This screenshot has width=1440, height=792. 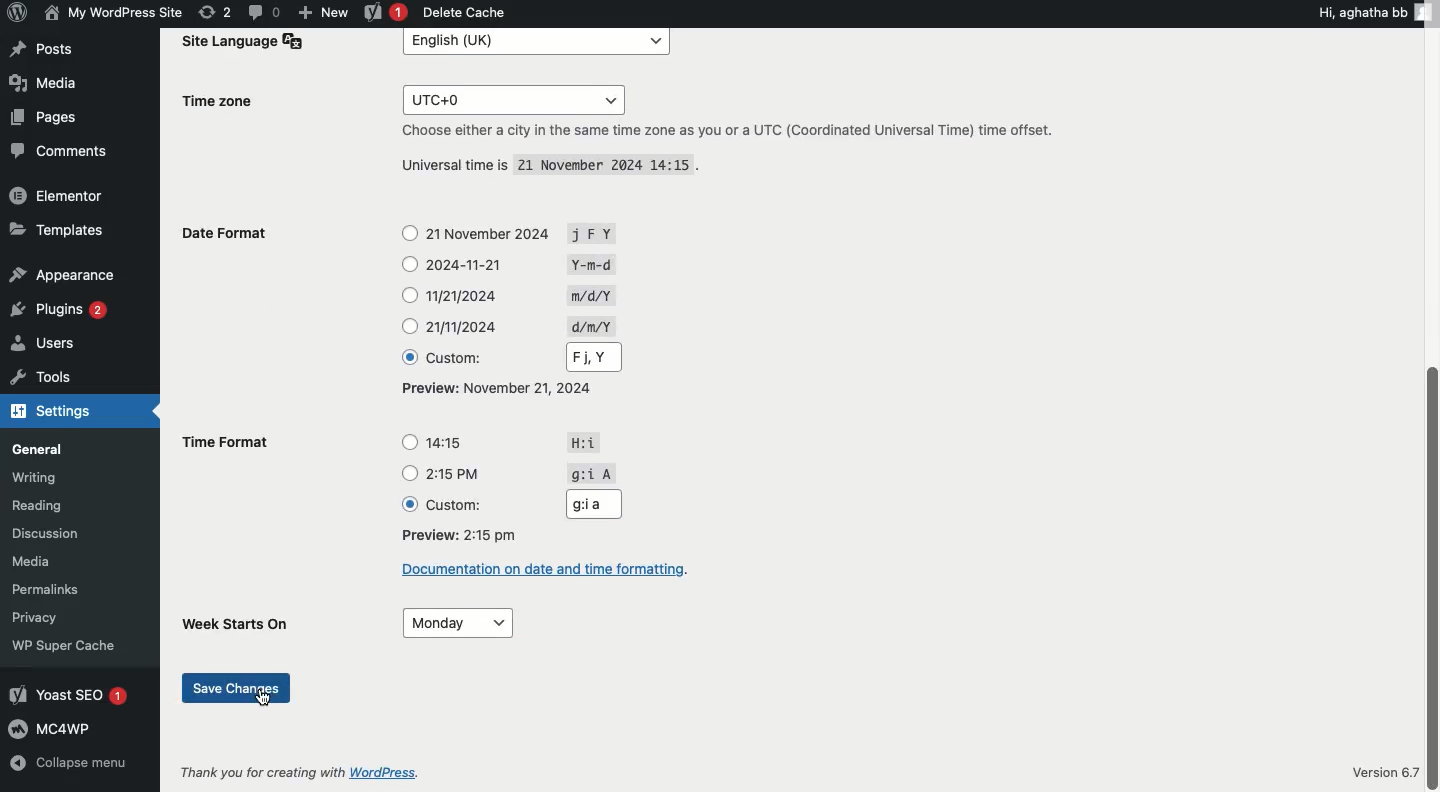 I want to click on Users, so click(x=59, y=347).